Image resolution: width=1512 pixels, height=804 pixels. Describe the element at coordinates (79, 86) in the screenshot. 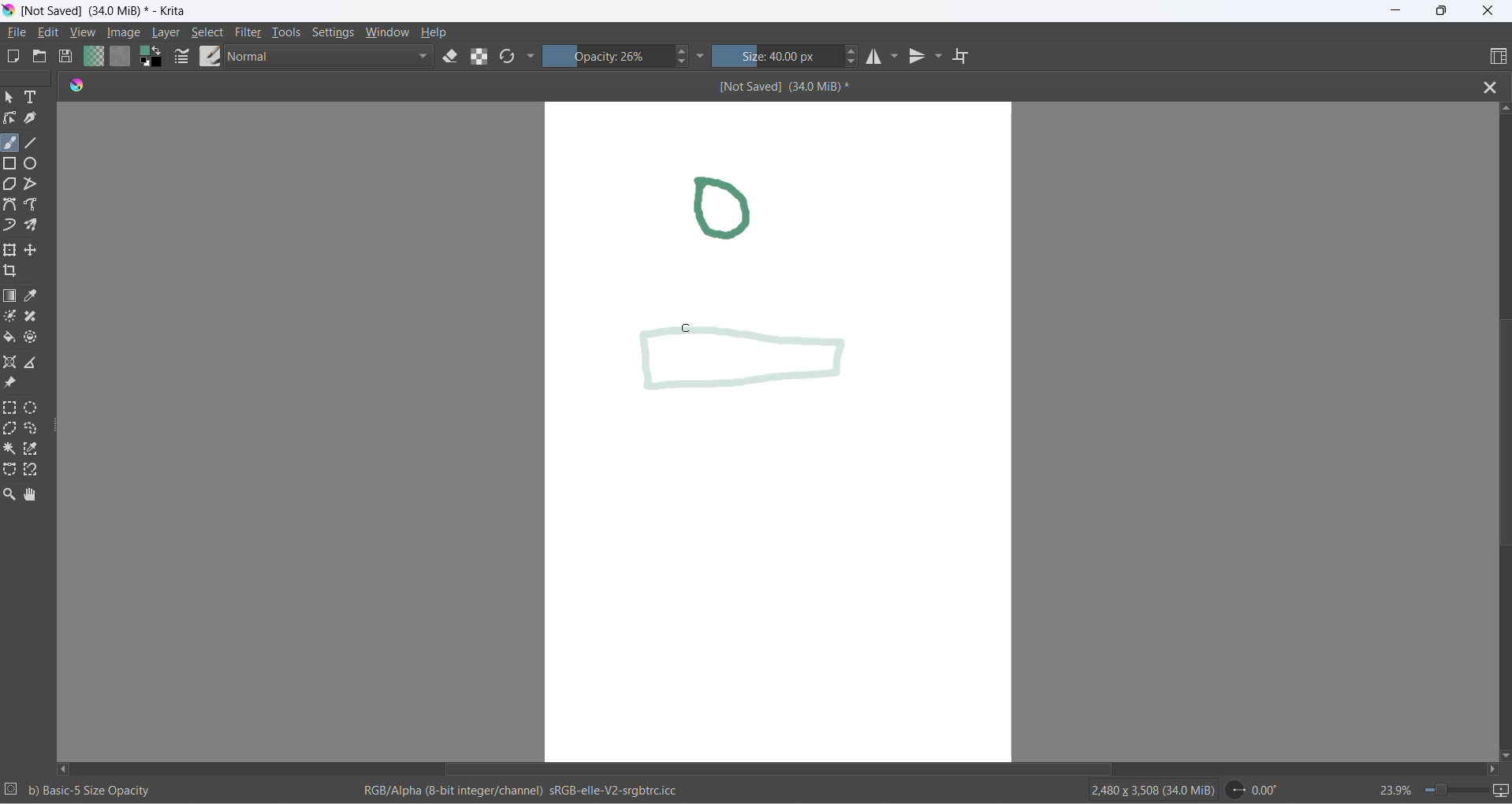

I see `app icon` at that location.